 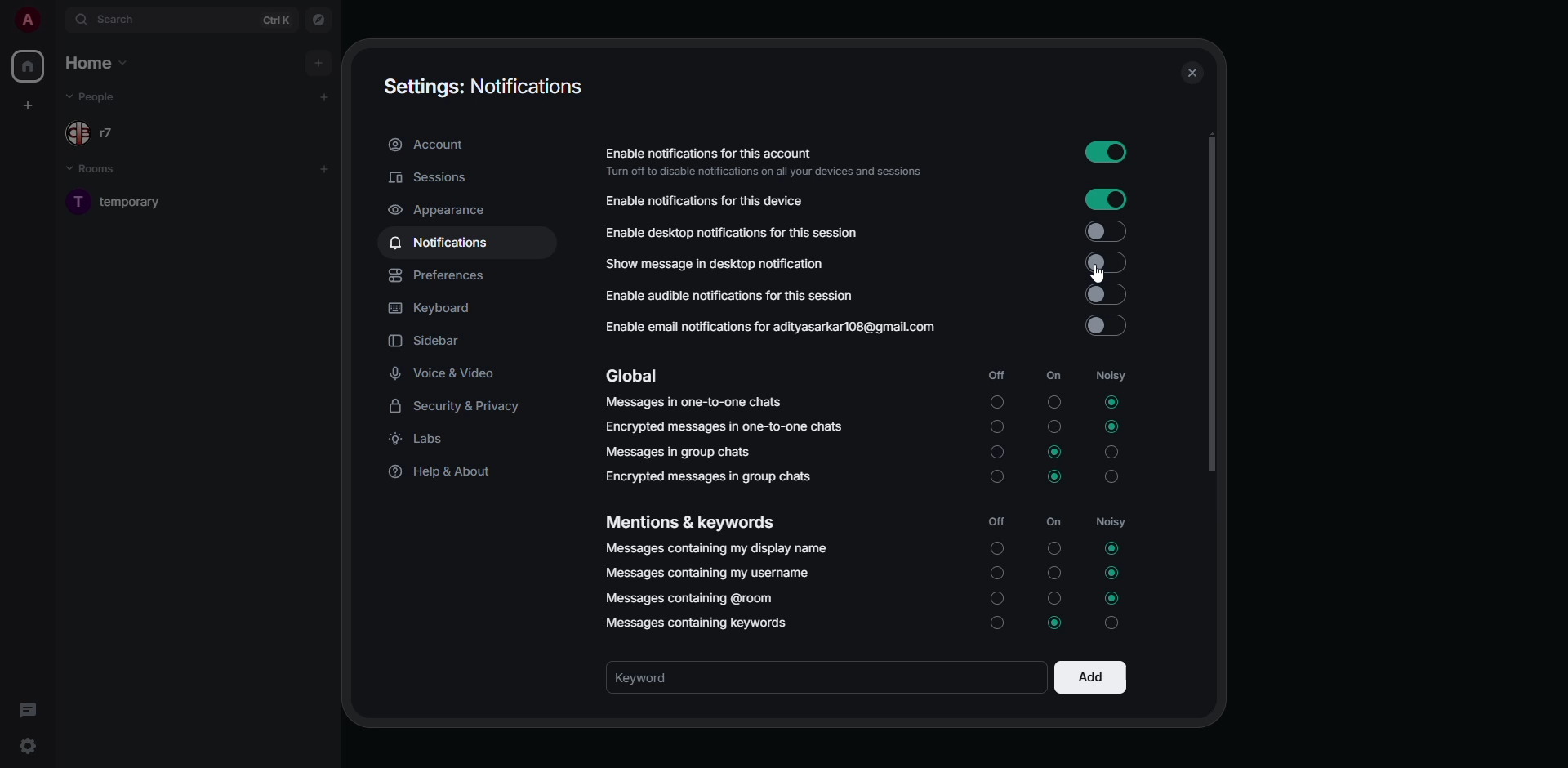 I want to click on enable email notifications, so click(x=769, y=328).